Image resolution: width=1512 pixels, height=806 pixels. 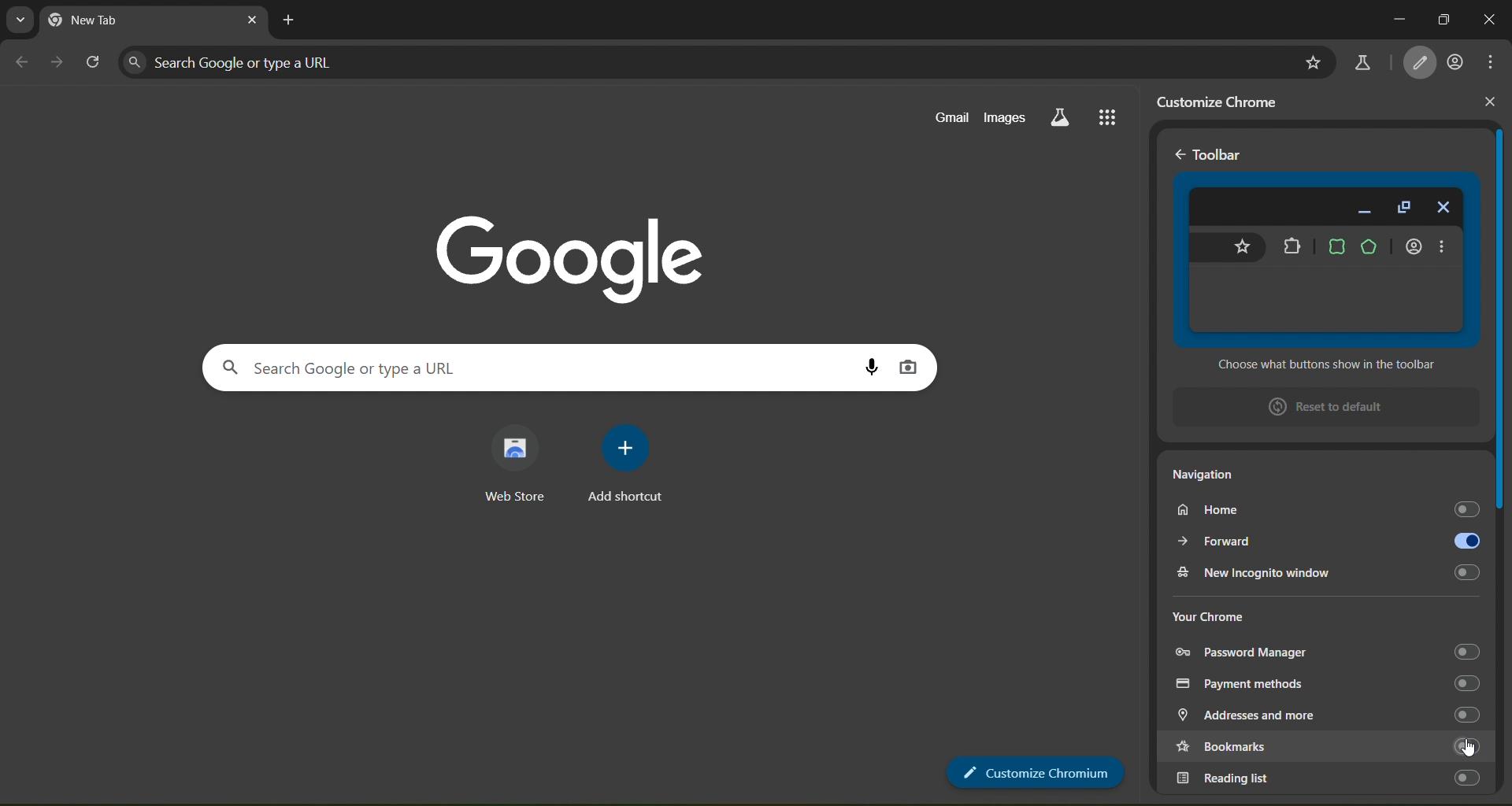 What do you see at coordinates (291, 21) in the screenshot?
I see `new tab` at bounding box center [291, 21].